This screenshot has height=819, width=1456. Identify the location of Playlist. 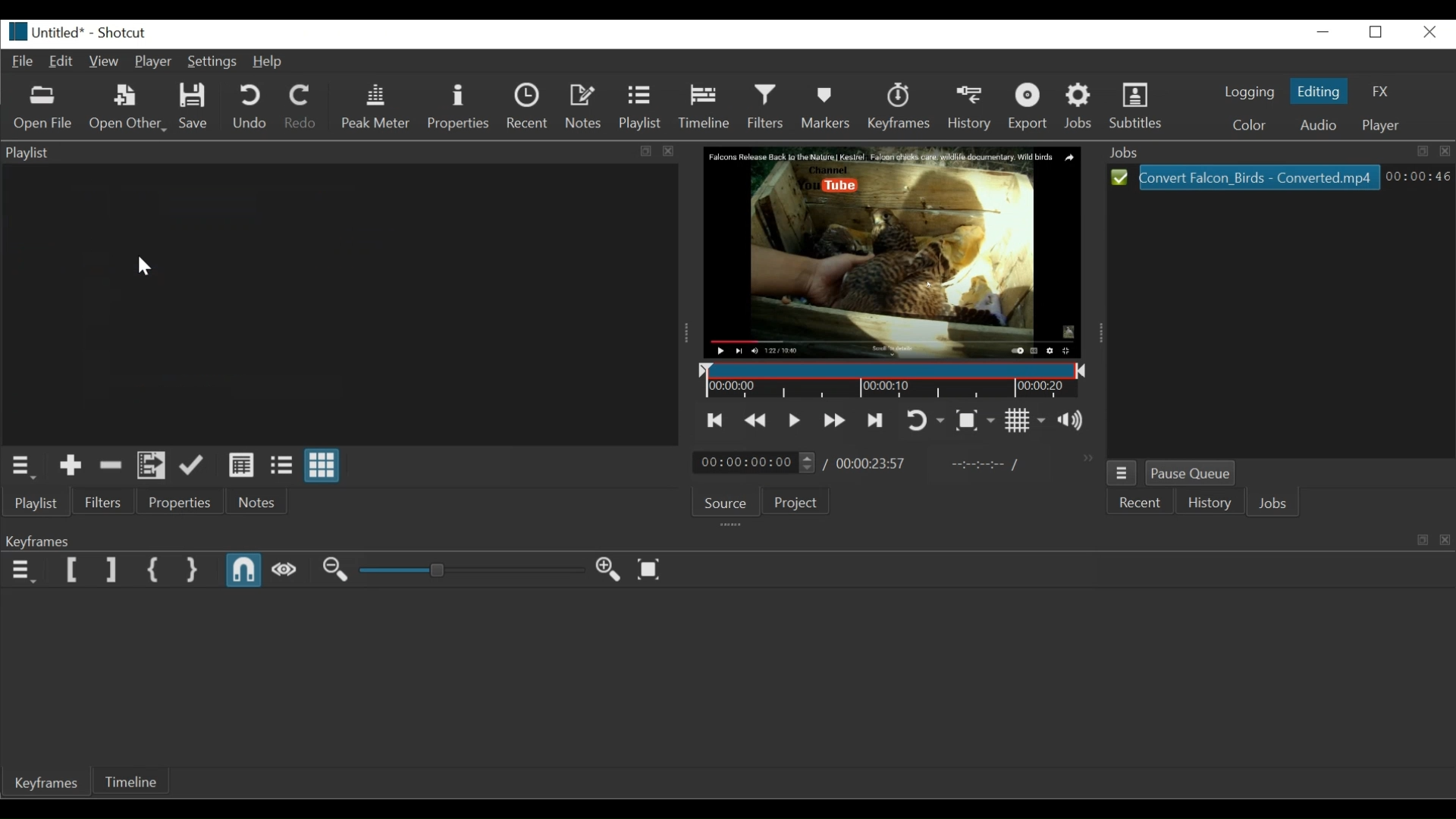
(33, 503).